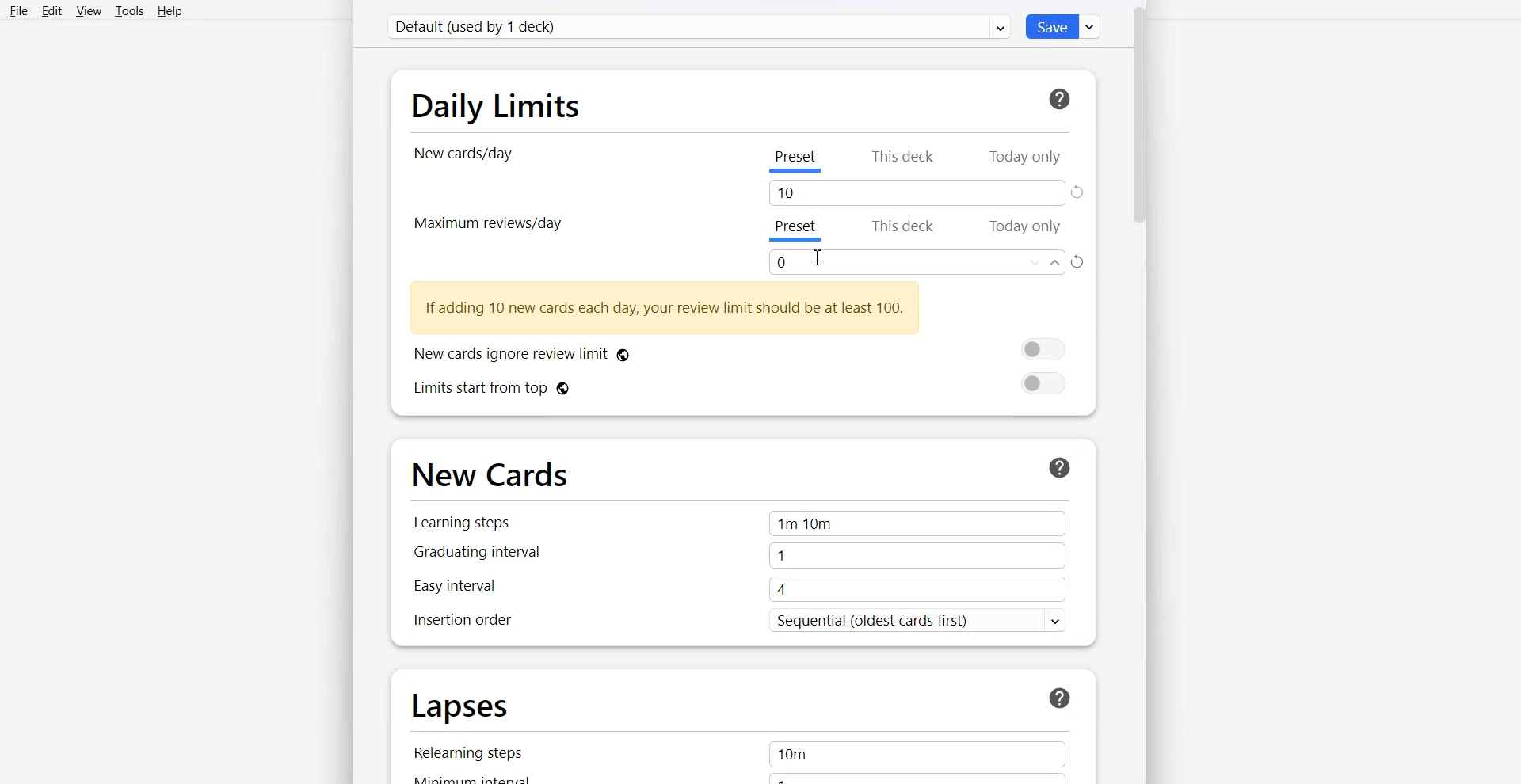 This screenshot has width=1521, height=784. Describe the element at coordinates (917, 193) in the screenshot. I see `Tab` at that location.